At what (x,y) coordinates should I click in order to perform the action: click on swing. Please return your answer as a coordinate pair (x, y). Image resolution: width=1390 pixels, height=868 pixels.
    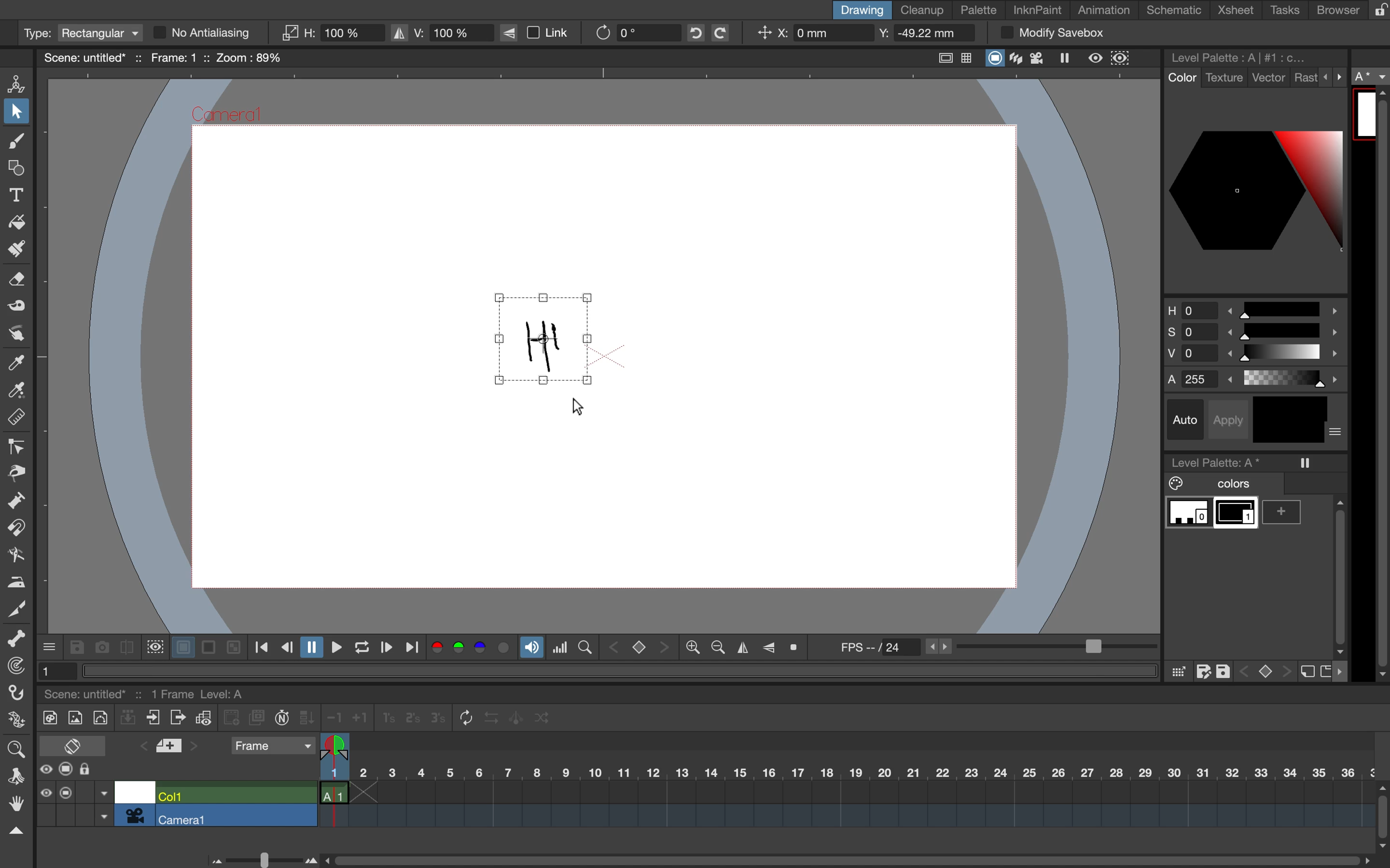
    Looking at the image, I should click on (518, 716).